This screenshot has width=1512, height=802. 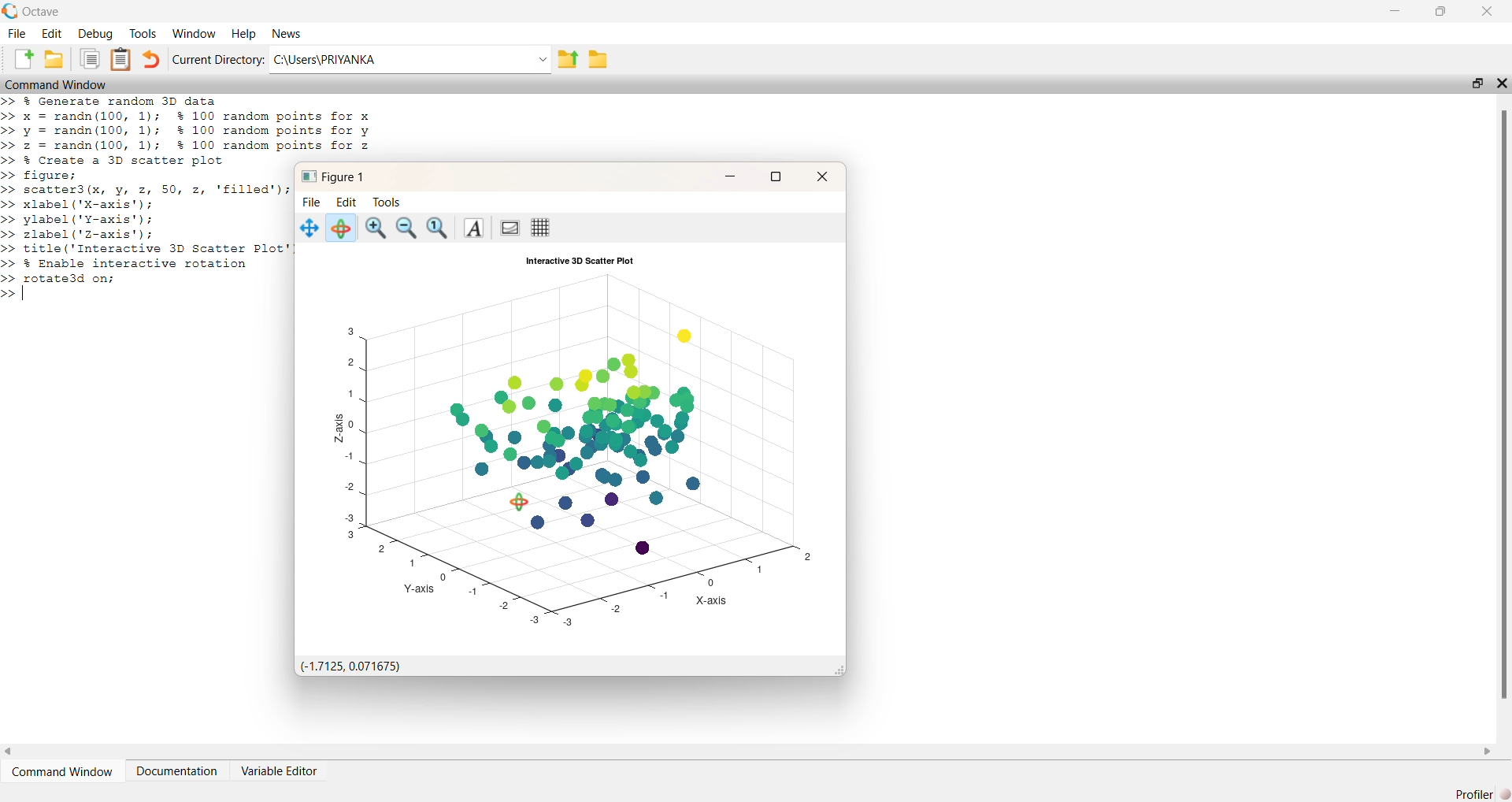 What do you see at coordinates (569, 60) in the screenshot?
I see `parent directory` at bounding box center [569, 60].